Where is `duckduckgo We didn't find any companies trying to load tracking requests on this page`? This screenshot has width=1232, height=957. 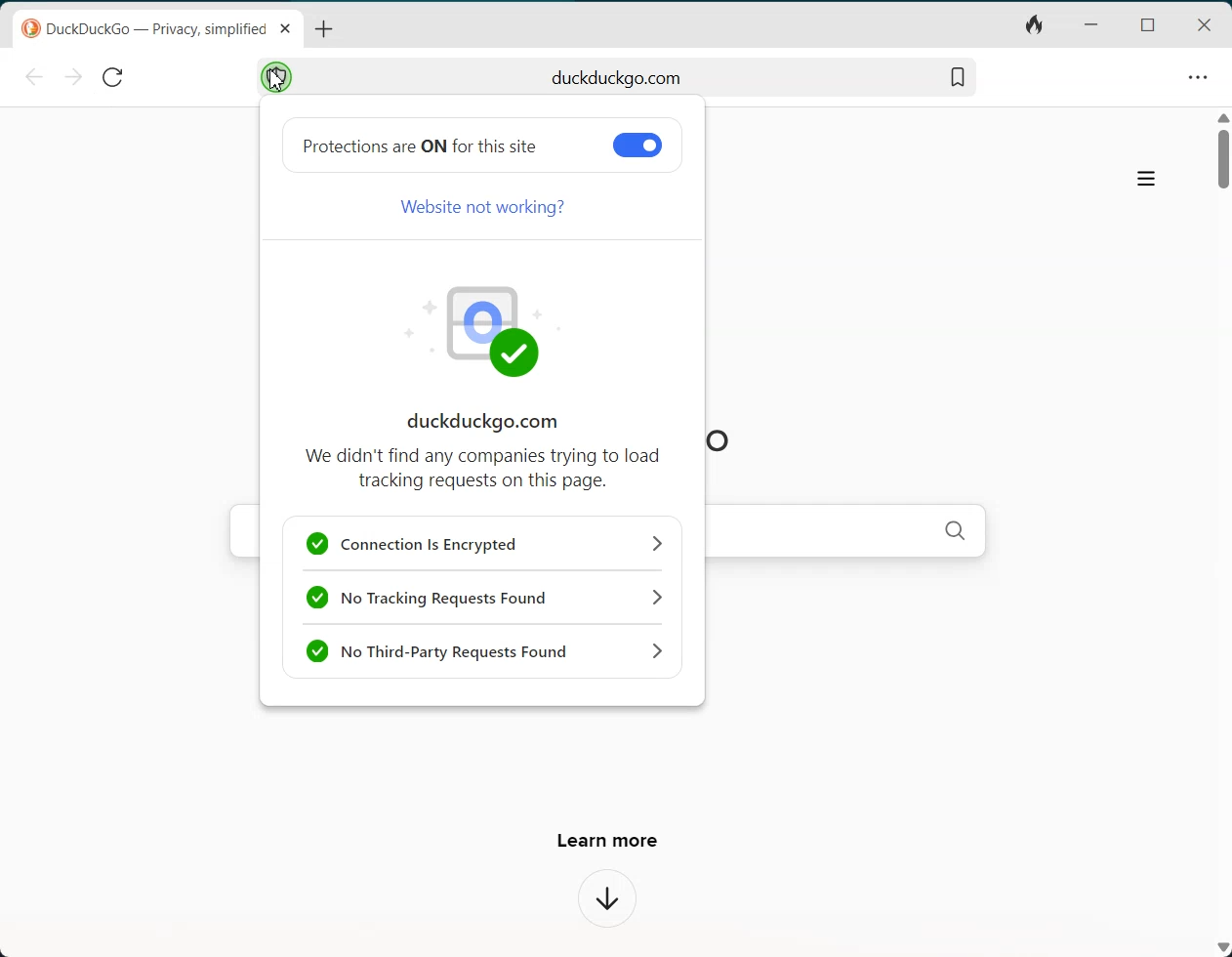
duckduckgo We didn't find any companies trying to load tracking requests on this page is located at coordinates (484, 451).